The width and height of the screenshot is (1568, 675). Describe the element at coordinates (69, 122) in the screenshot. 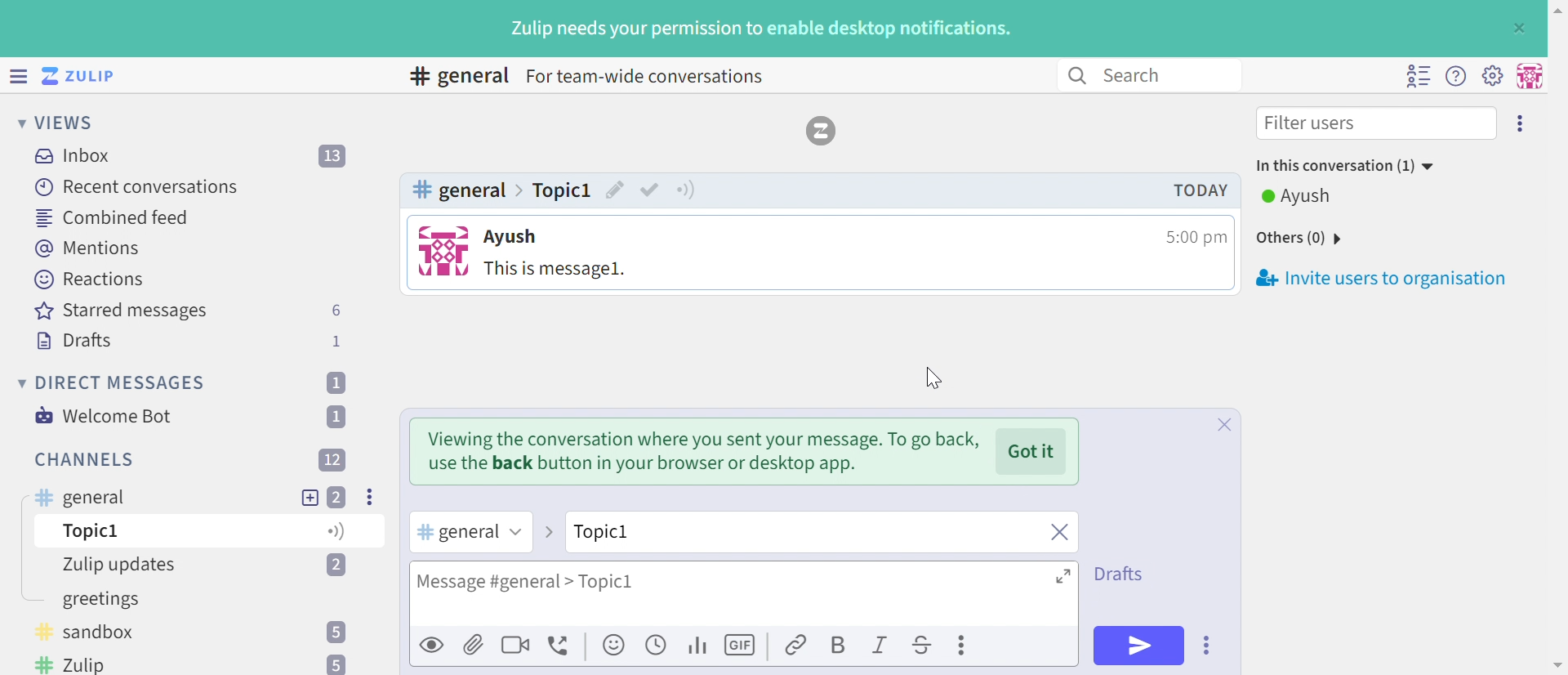

I see `VIEWS` at that location.